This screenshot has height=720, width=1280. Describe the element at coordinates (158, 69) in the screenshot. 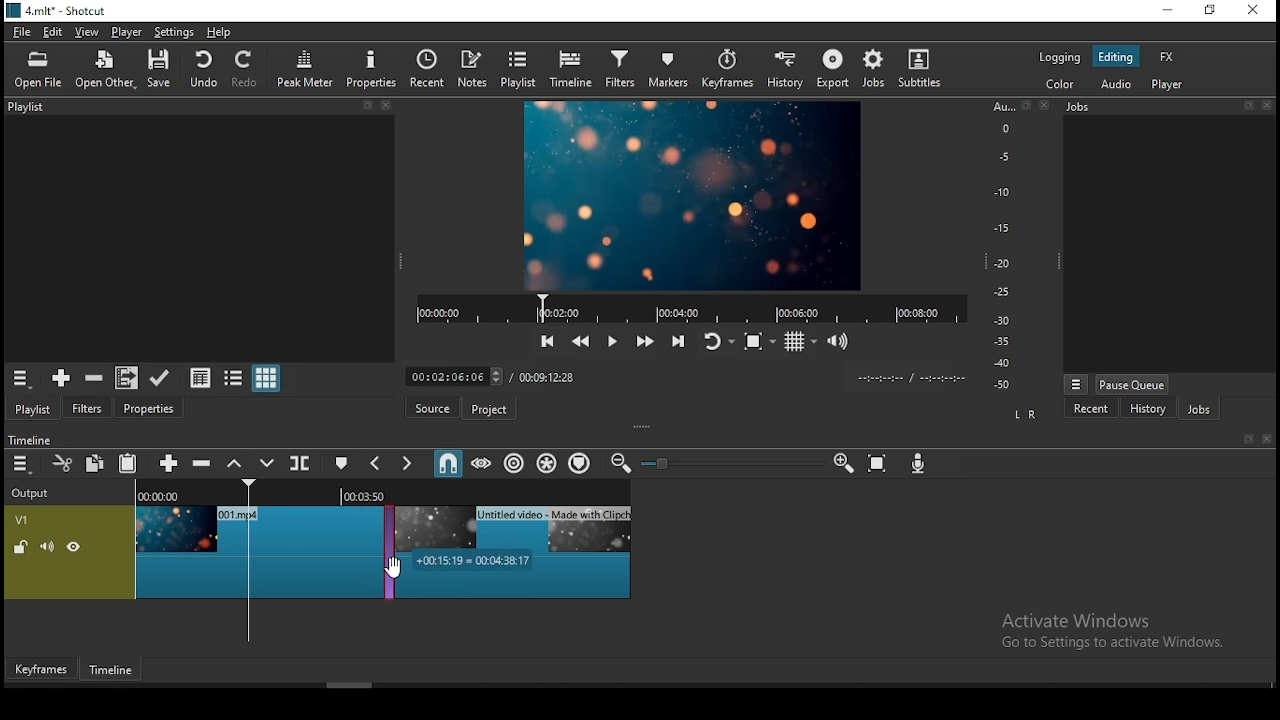

I see `save` at that location.